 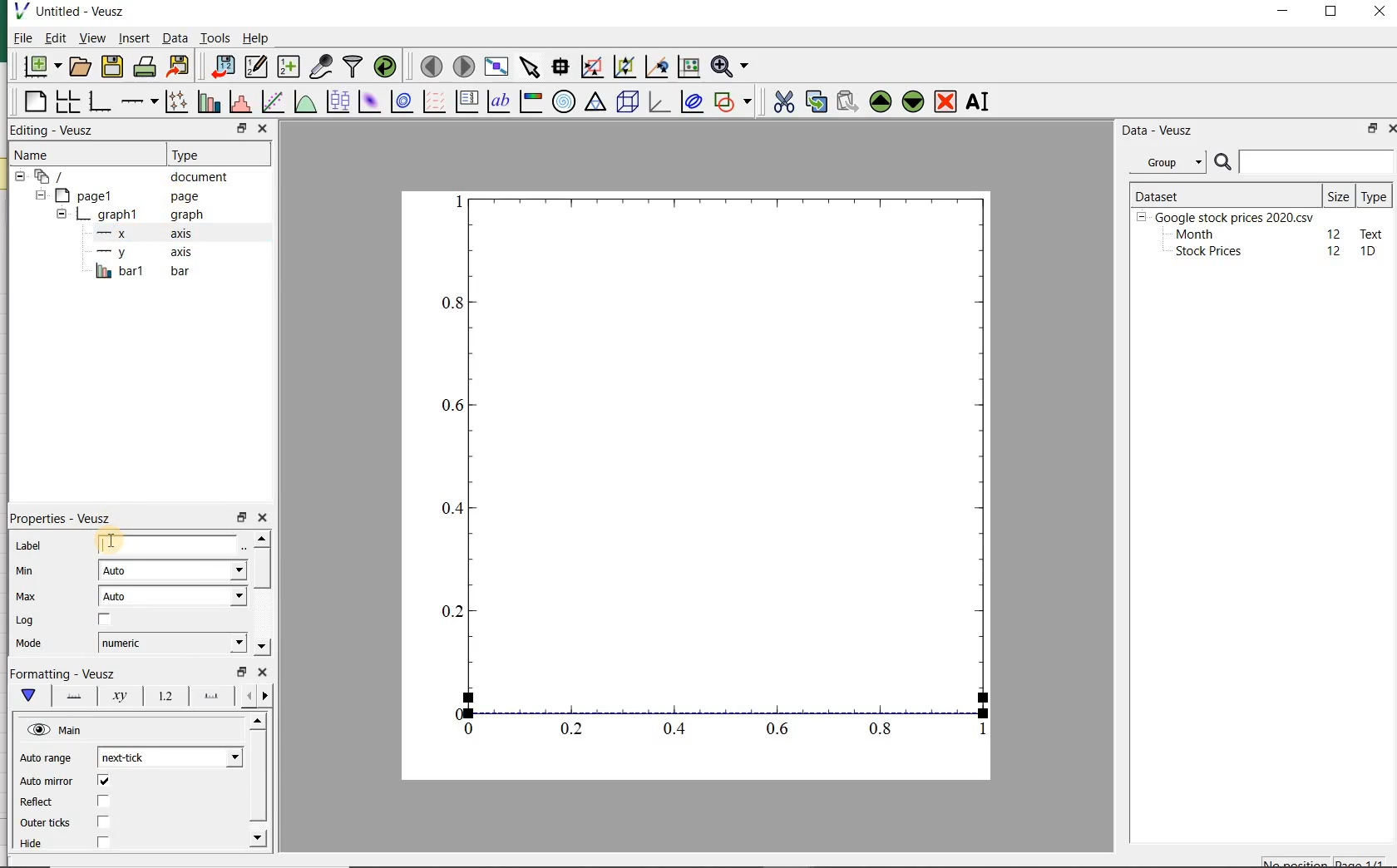 What do you see at coordinates (110, 542) in the screenshot?
I see `cursor` at bounding box center [110, 542].